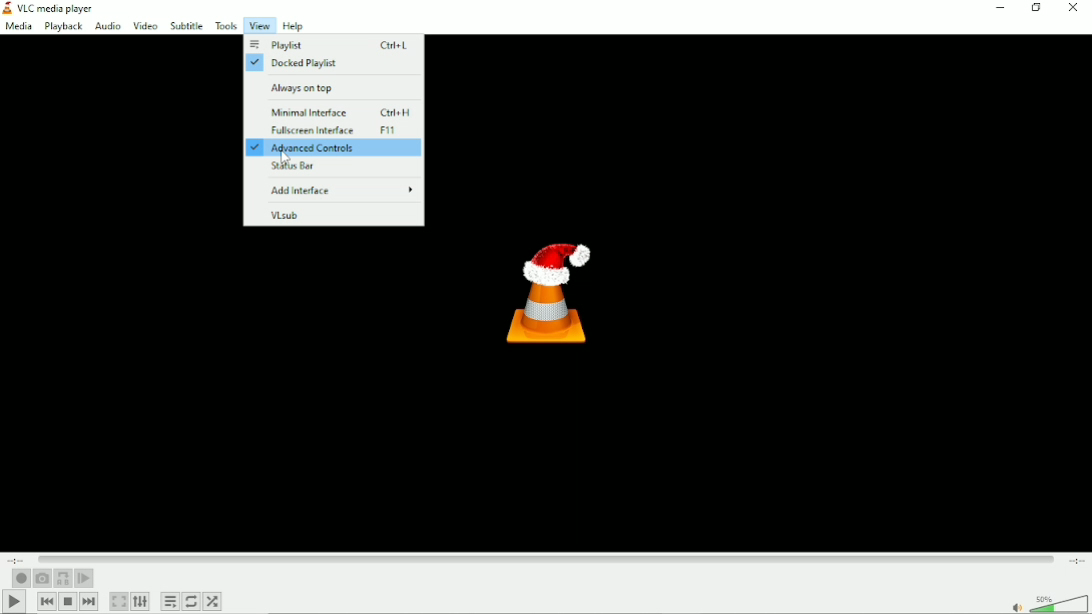 The width and height of the screenshot is (1092, 614). What do you see at coordinates (339, 114) in the screenshot?
I see `Minimal interface` at bounding box center [339, 114].